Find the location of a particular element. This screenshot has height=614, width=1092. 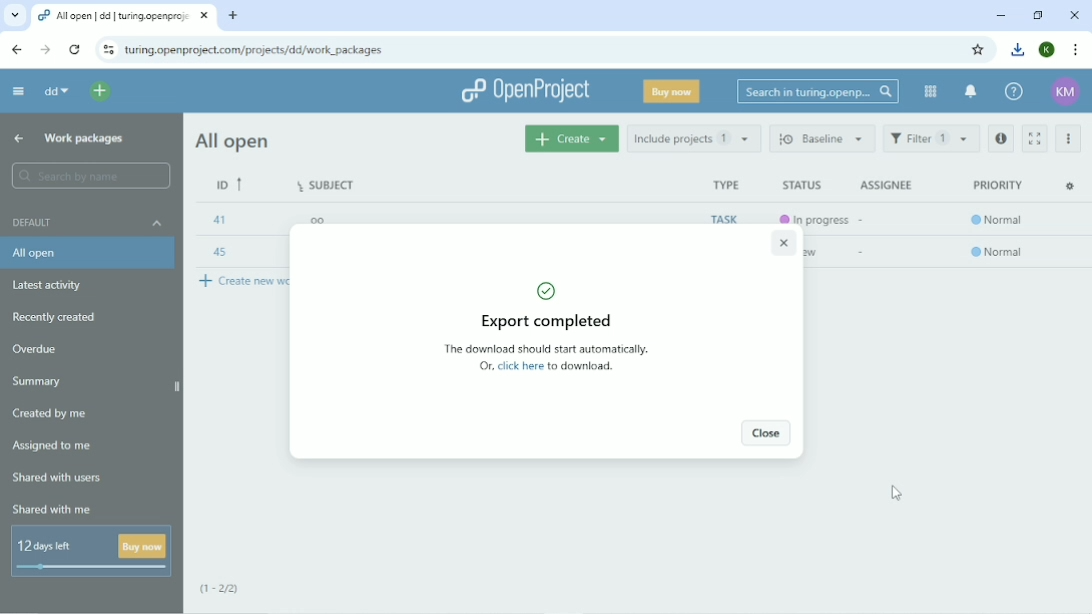

Forward is located at coordinates (42, 49).